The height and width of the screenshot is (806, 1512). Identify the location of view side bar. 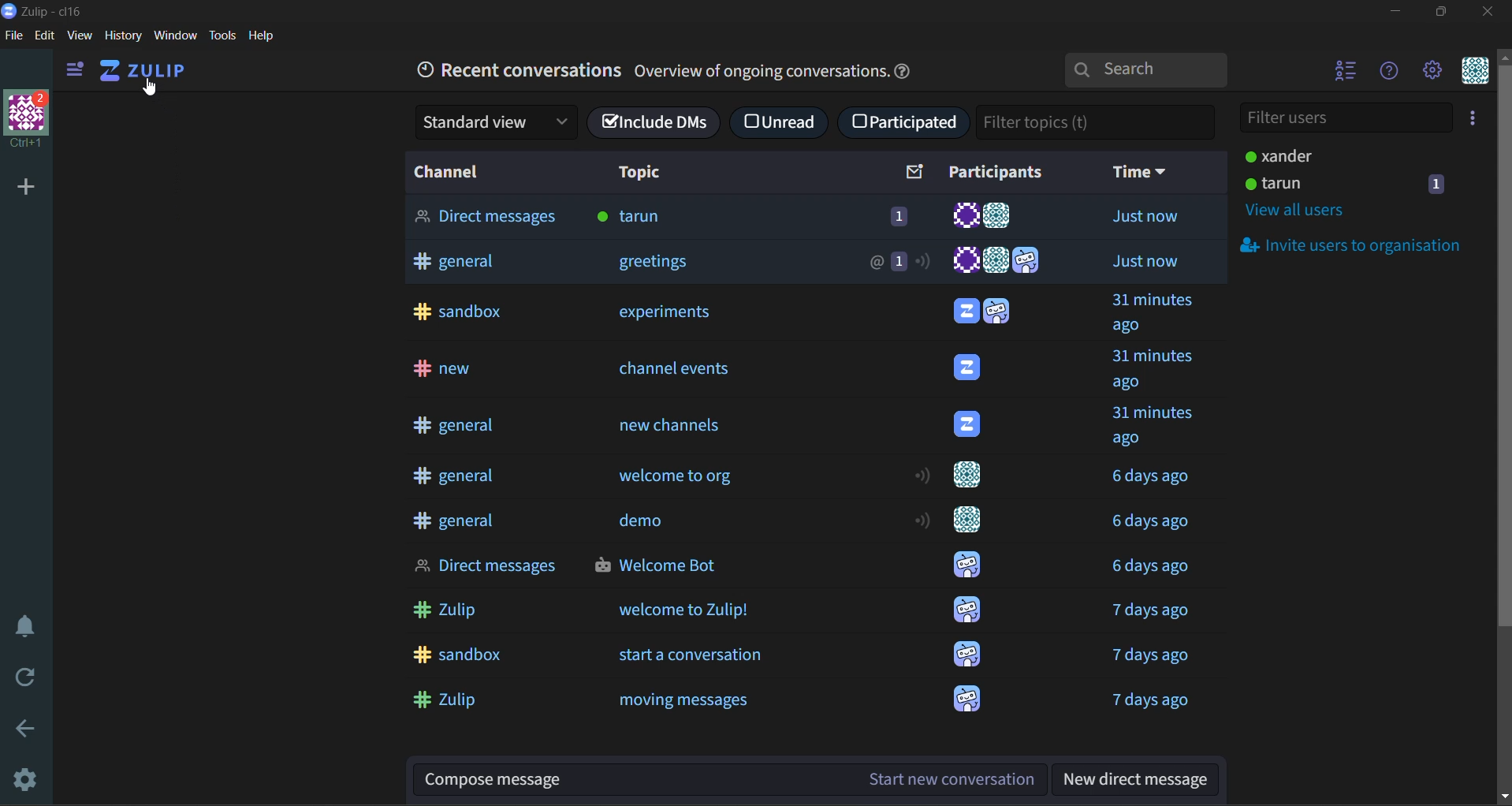
(76, 71).